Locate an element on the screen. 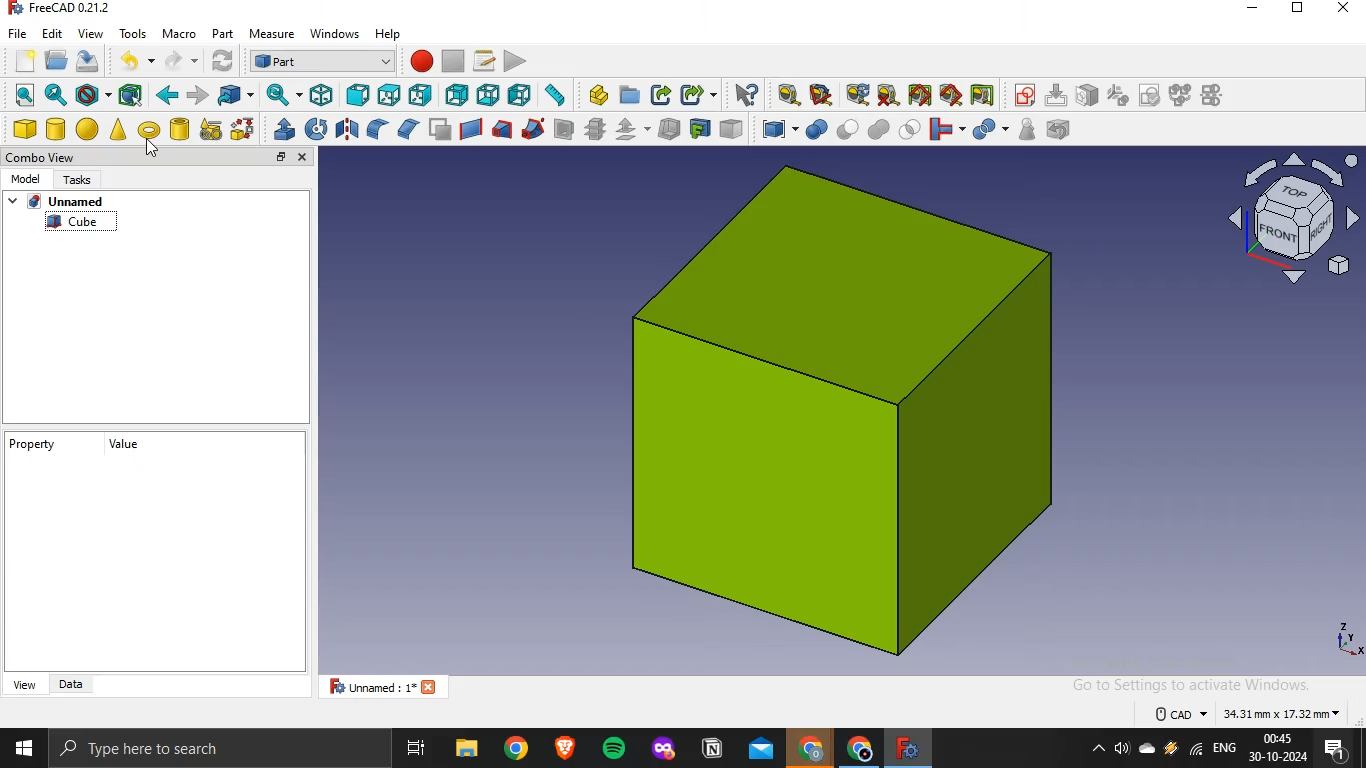 Image resolution: width=1366 pixels, height=768 pixels. make link is located at coordinates (658, 94).